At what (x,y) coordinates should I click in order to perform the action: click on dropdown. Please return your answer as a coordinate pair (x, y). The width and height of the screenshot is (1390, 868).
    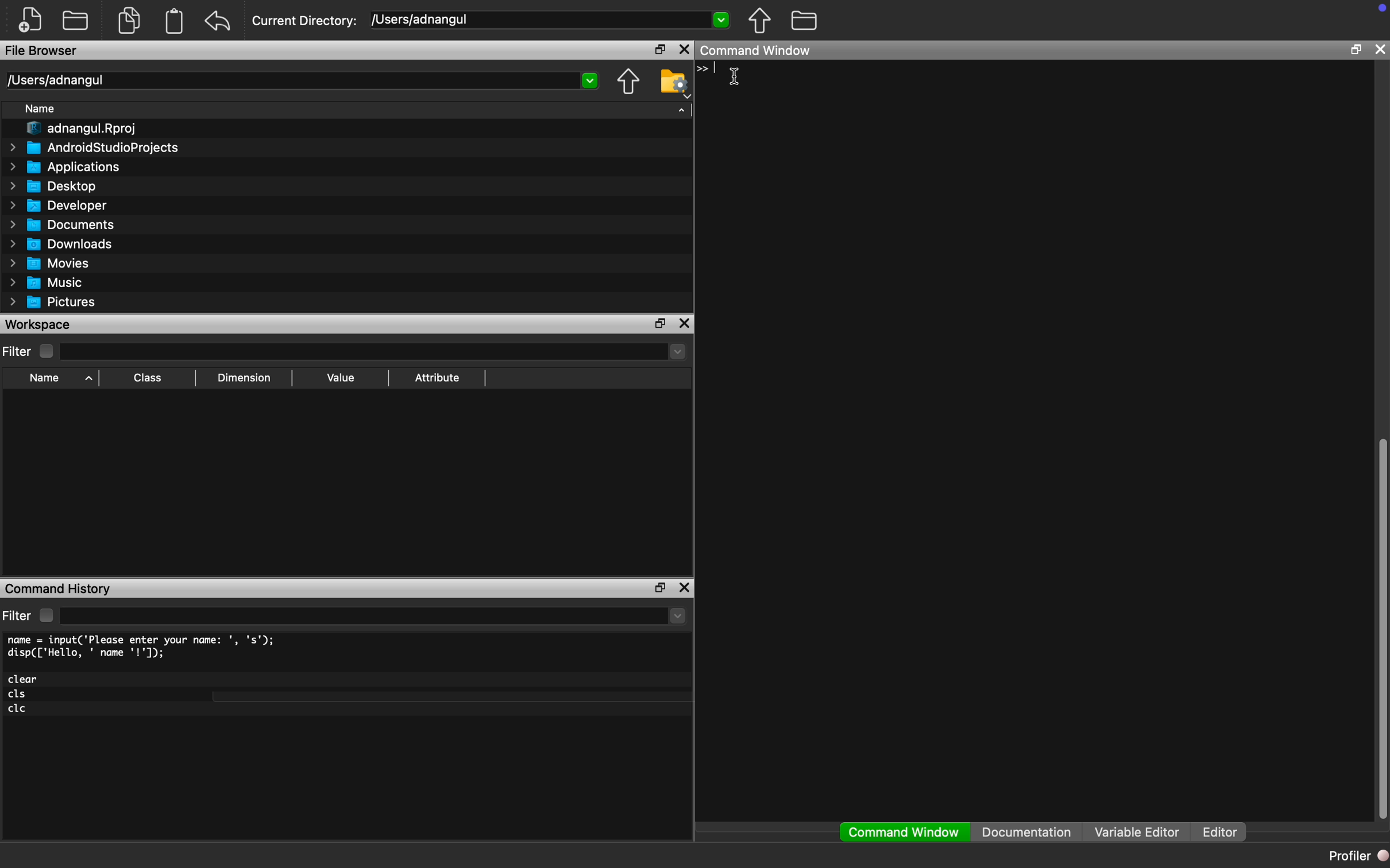
    Looking at the image, I should click on (591, 81).